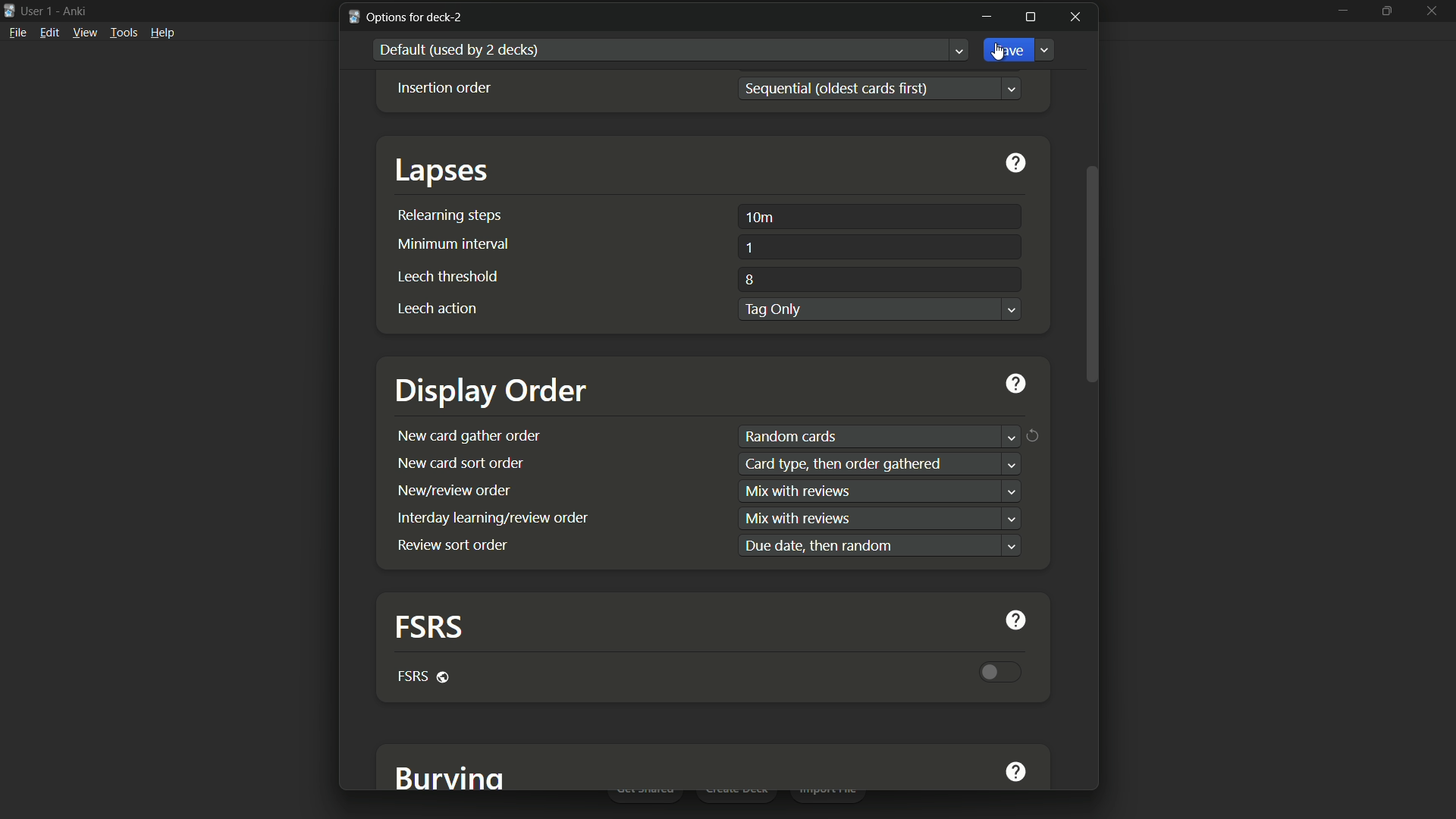 Image resolution: width=1456 pixels, height=819 pixels. What do you see at coordinates (1017, 165) in the screenshot?
I see `get help` at bounding box center [1017, 165].